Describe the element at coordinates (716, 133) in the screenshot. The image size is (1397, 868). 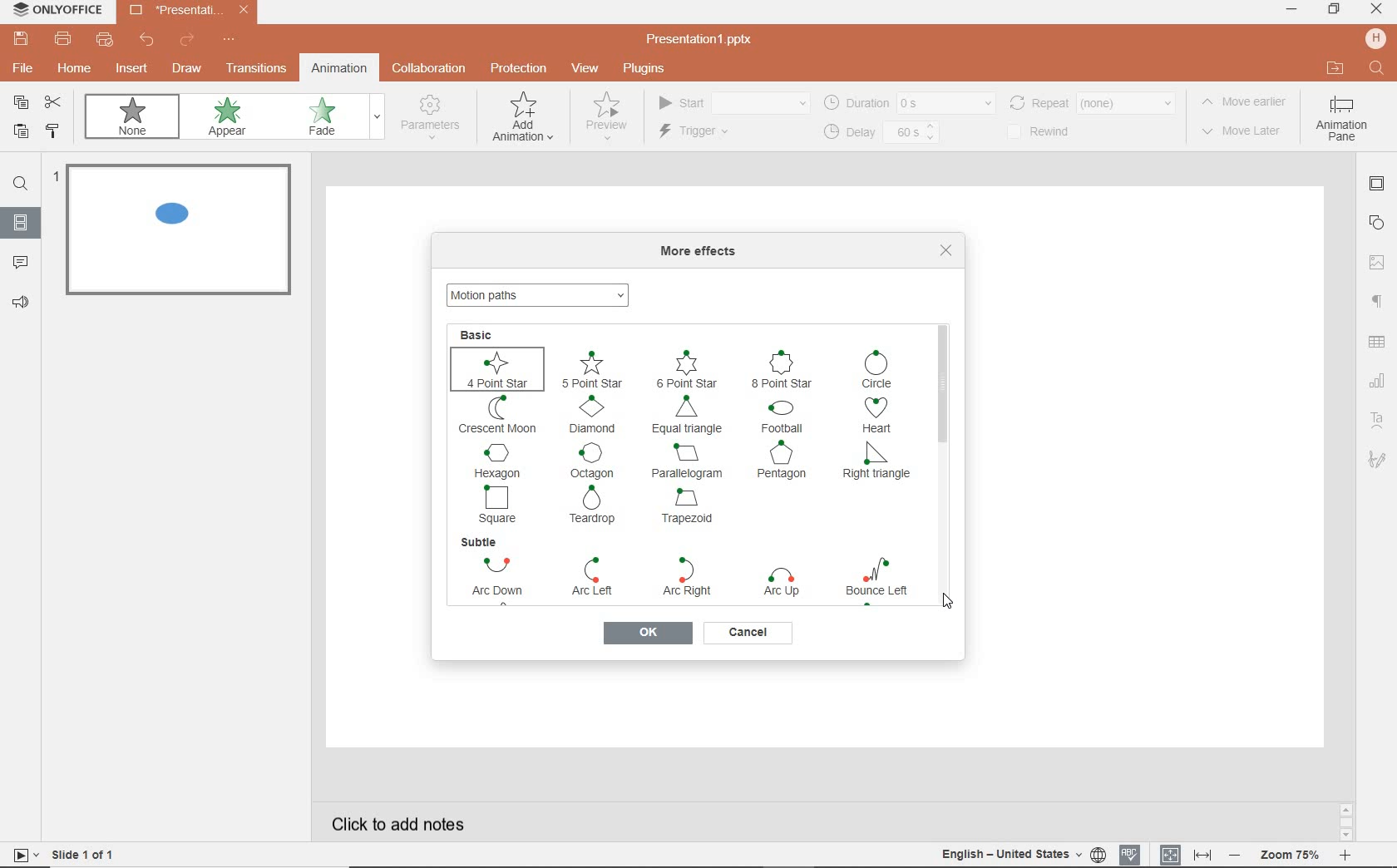
I see `trigger` at that location.